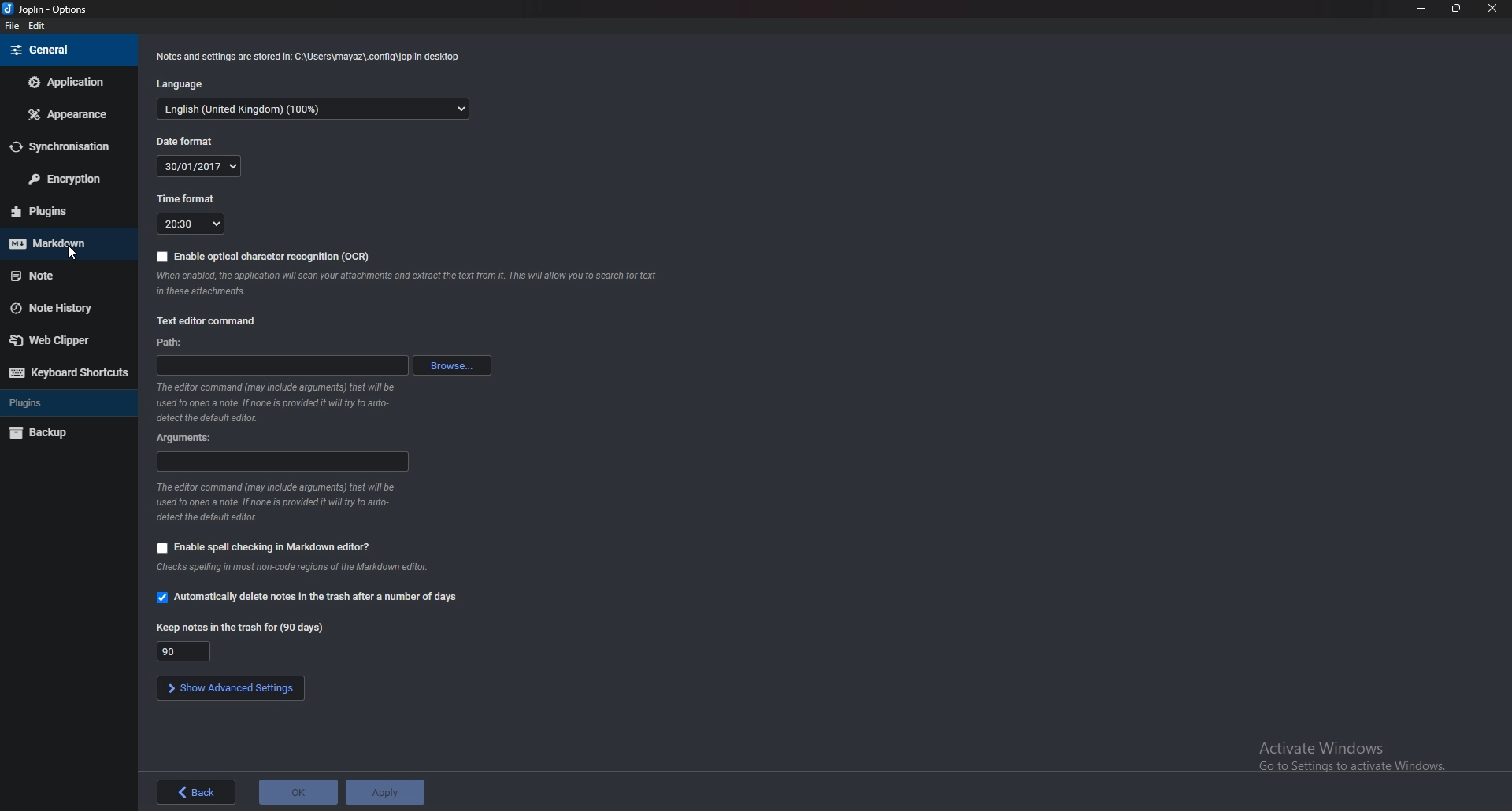 This screenshot has width=1512, height=811. Describe the element at coordinates (66, 403) in the screenshot. I see `Plugins` at that location.